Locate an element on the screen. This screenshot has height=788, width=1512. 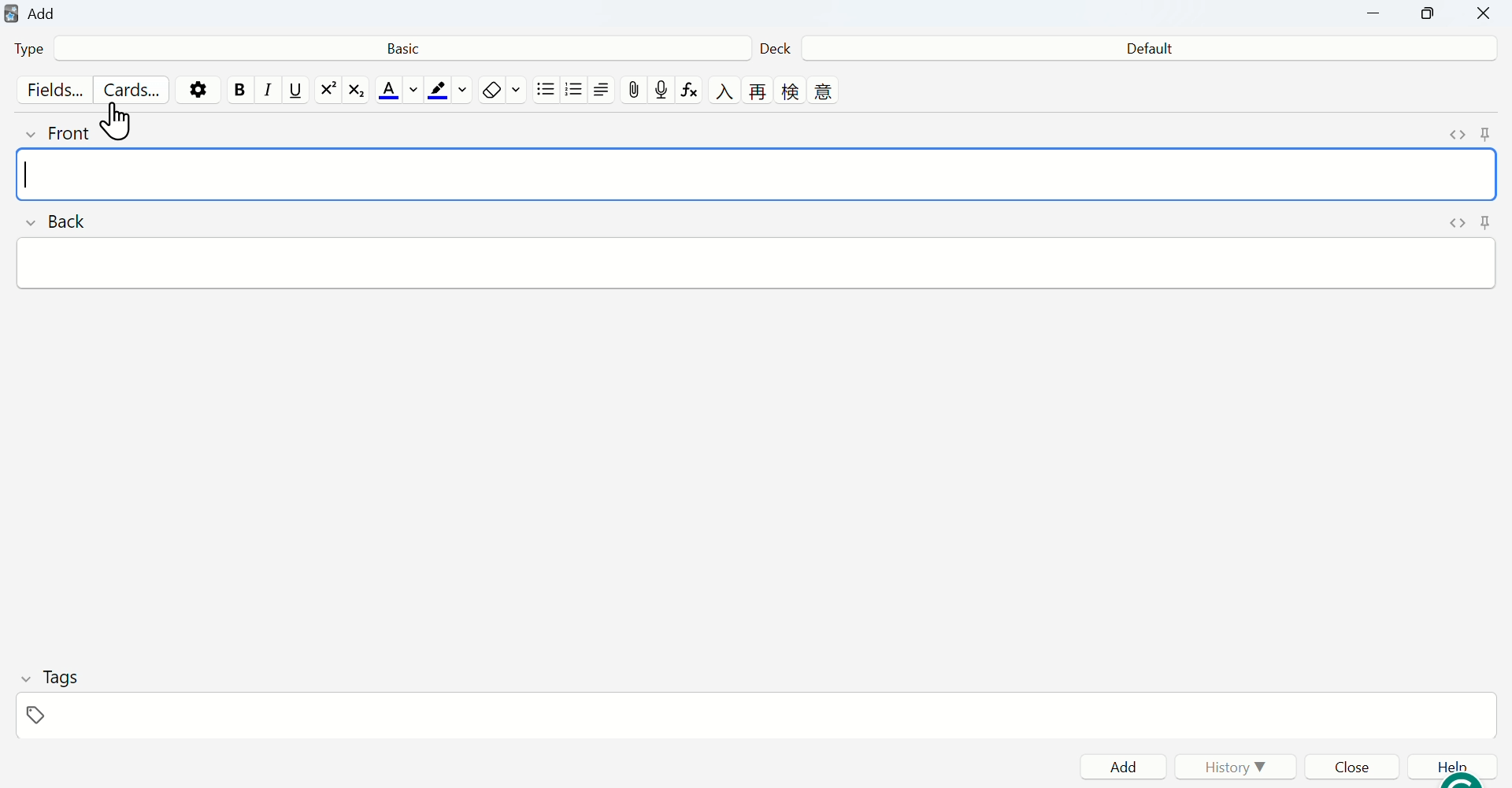
ordered list is located at coordinates (574, 90).